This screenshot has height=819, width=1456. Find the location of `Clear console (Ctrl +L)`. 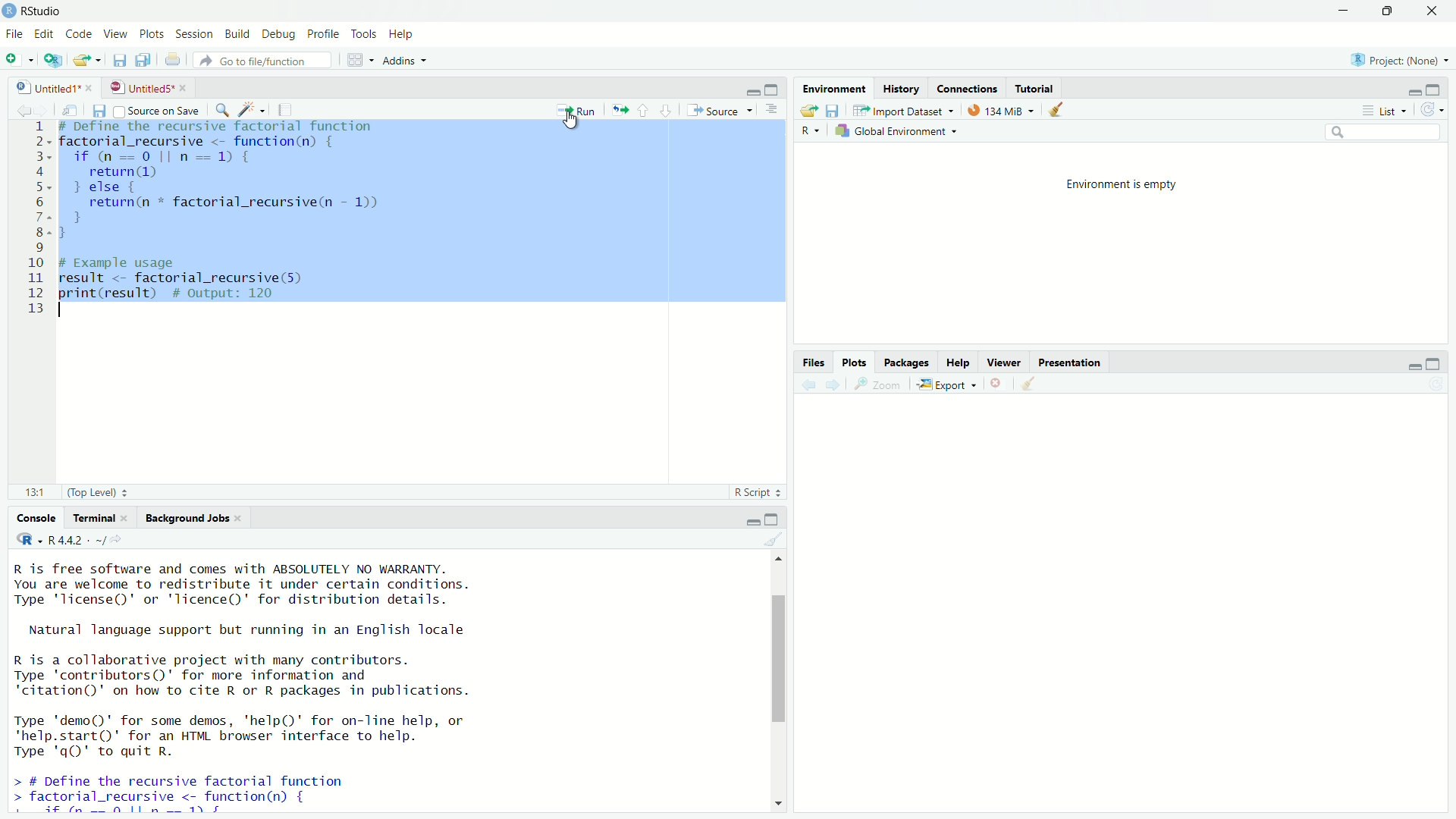

Clear console (Ctrl +L) is located at coordinates (1032, 381).